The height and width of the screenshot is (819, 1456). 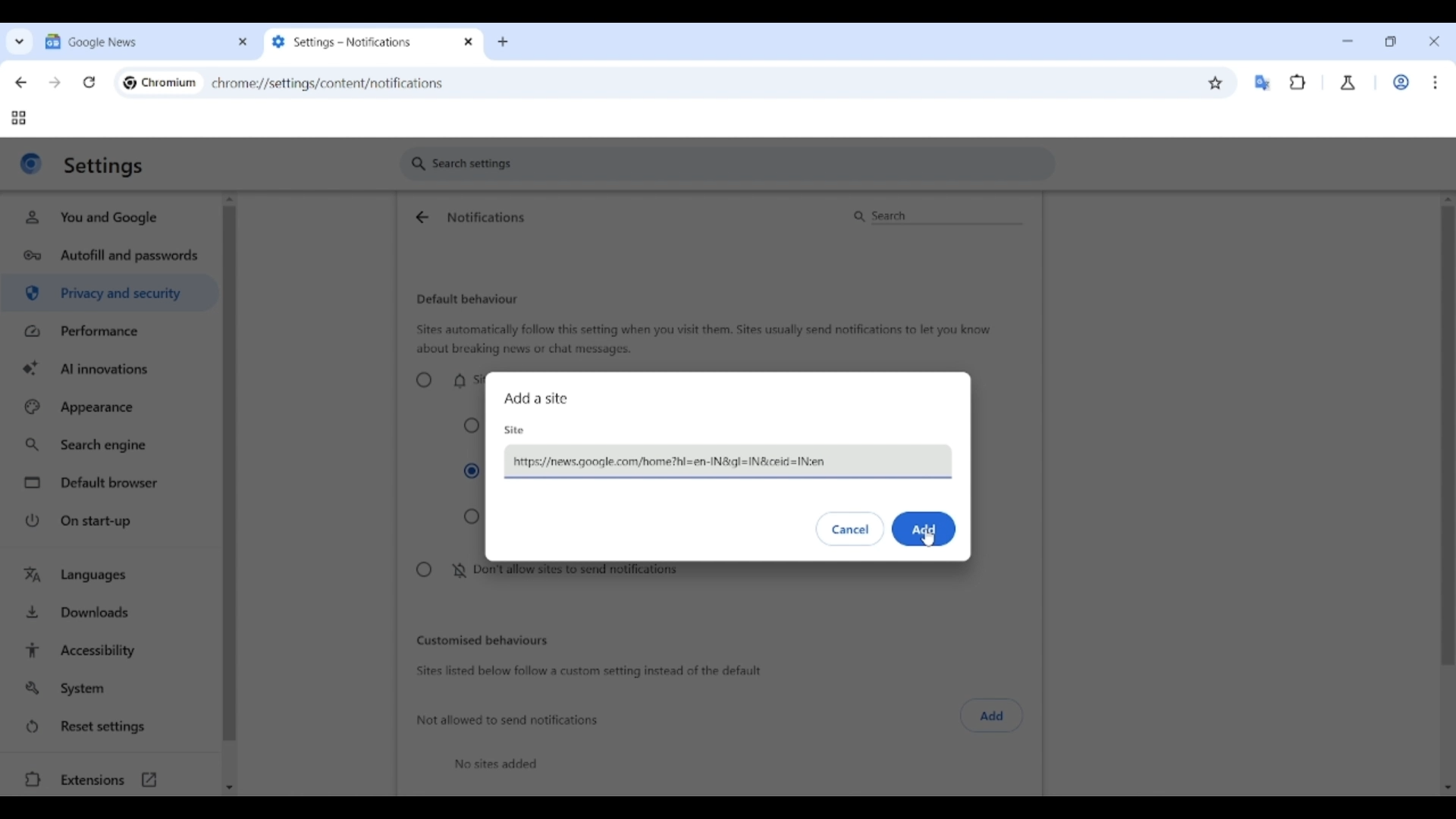 What do you see at coordinates (467, 300) in the screenshot?
I see `Default behaviour` at bounding box center [467, 300].